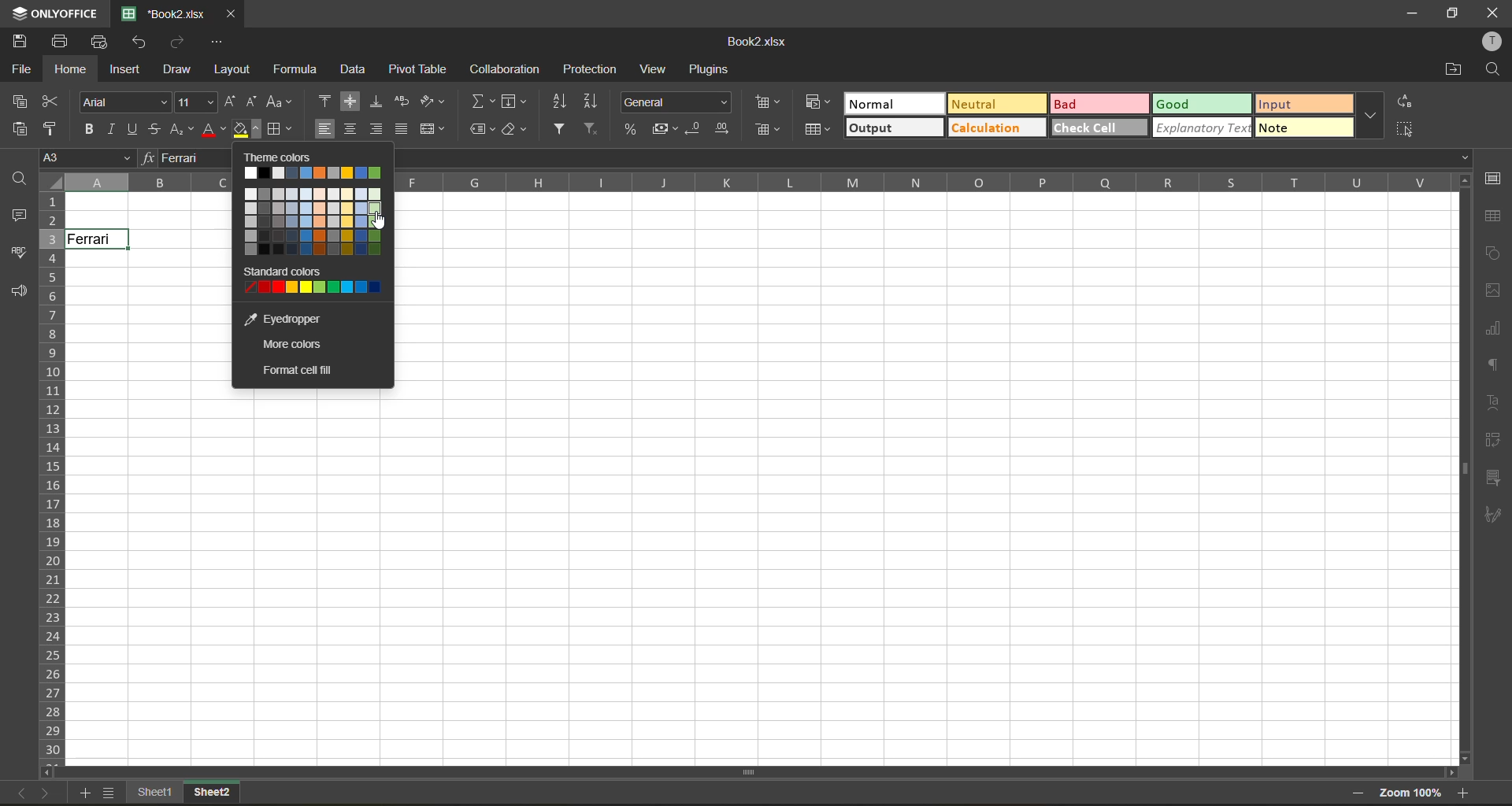 The image size is (1512, 806). Describe the element at coordinates (1410, 15) in the screenshot. I see `minimize` at that location.